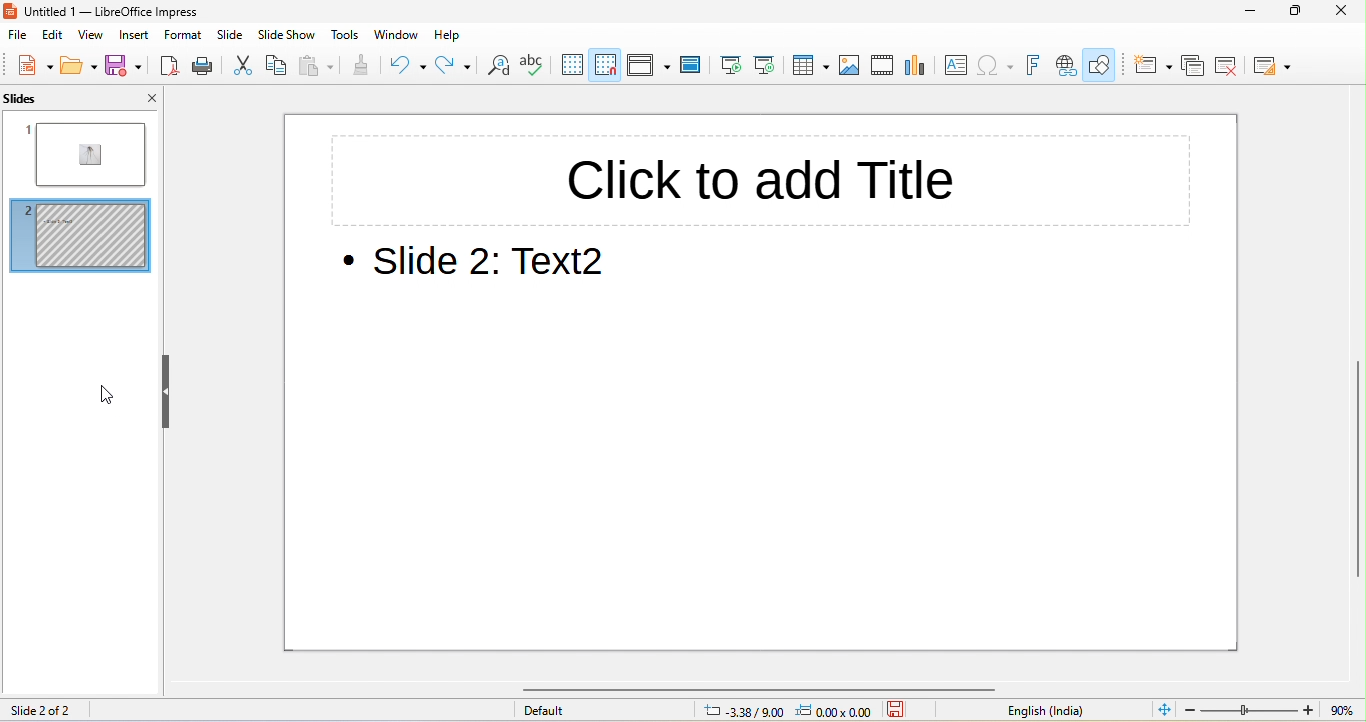  Describe the element at coordinates (1067, 63) in the screenshot. I see `hyperlink` at that location.